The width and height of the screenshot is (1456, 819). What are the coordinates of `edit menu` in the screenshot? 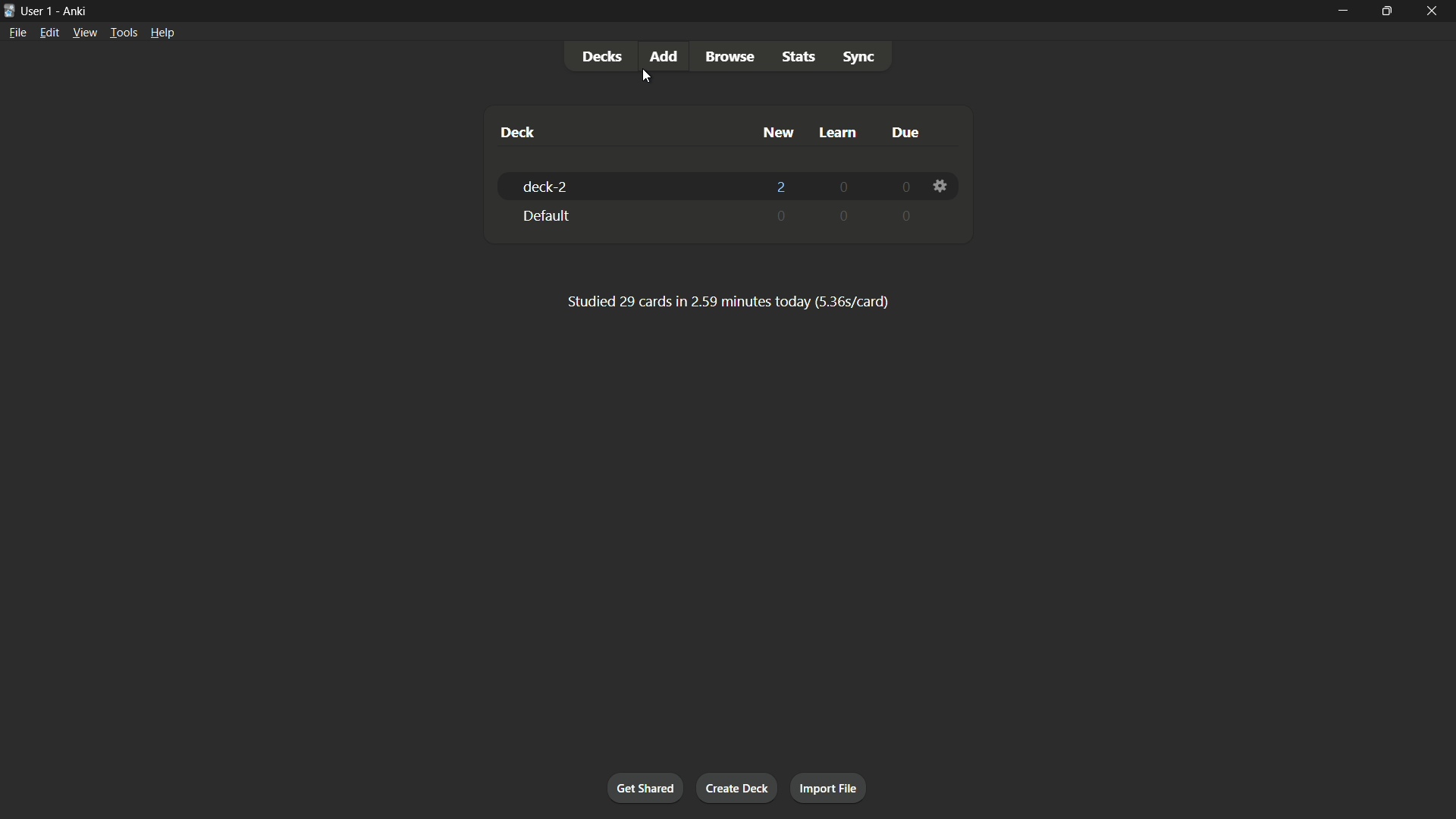 It's located at (49, 33).